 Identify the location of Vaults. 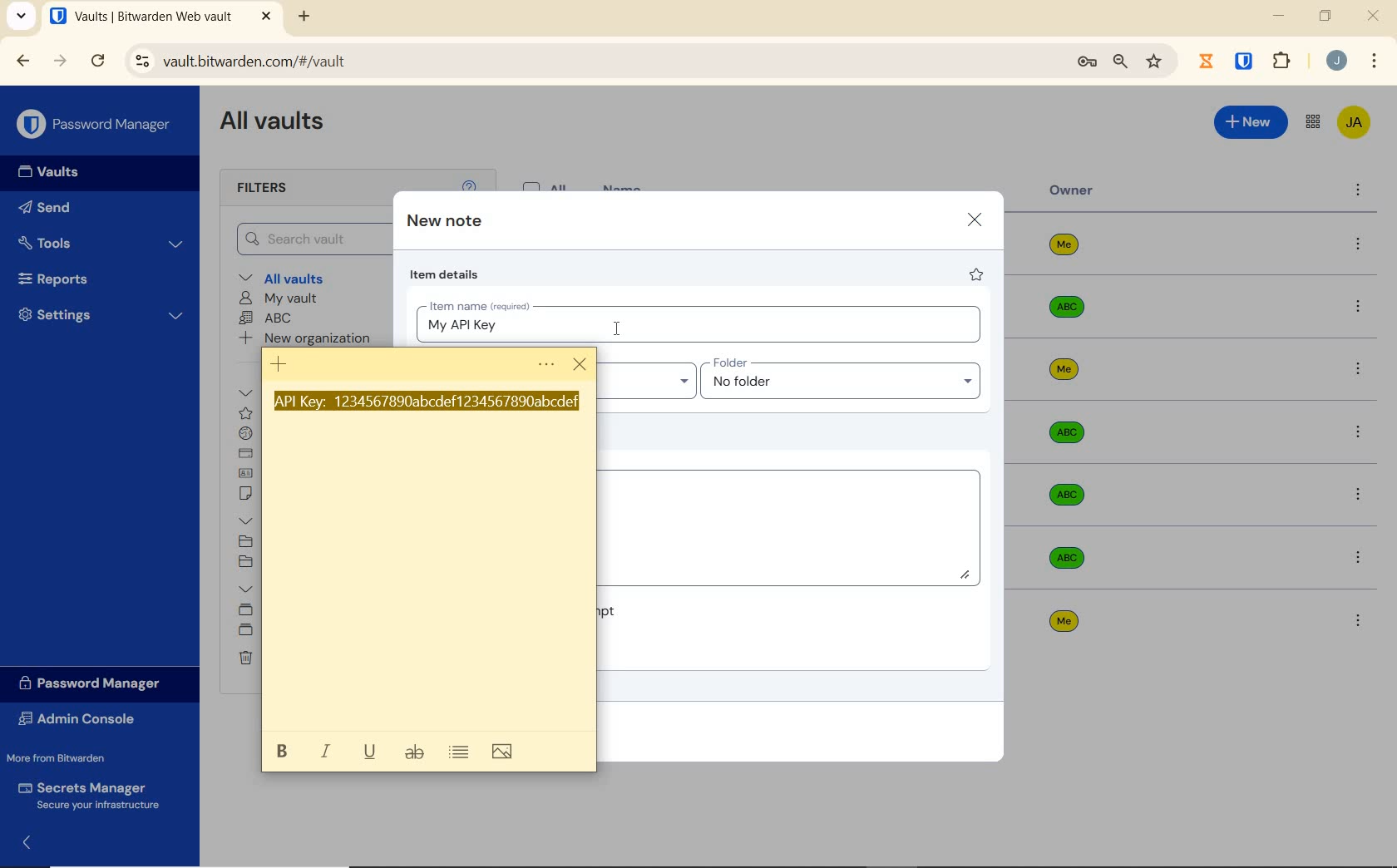
(57, 174).